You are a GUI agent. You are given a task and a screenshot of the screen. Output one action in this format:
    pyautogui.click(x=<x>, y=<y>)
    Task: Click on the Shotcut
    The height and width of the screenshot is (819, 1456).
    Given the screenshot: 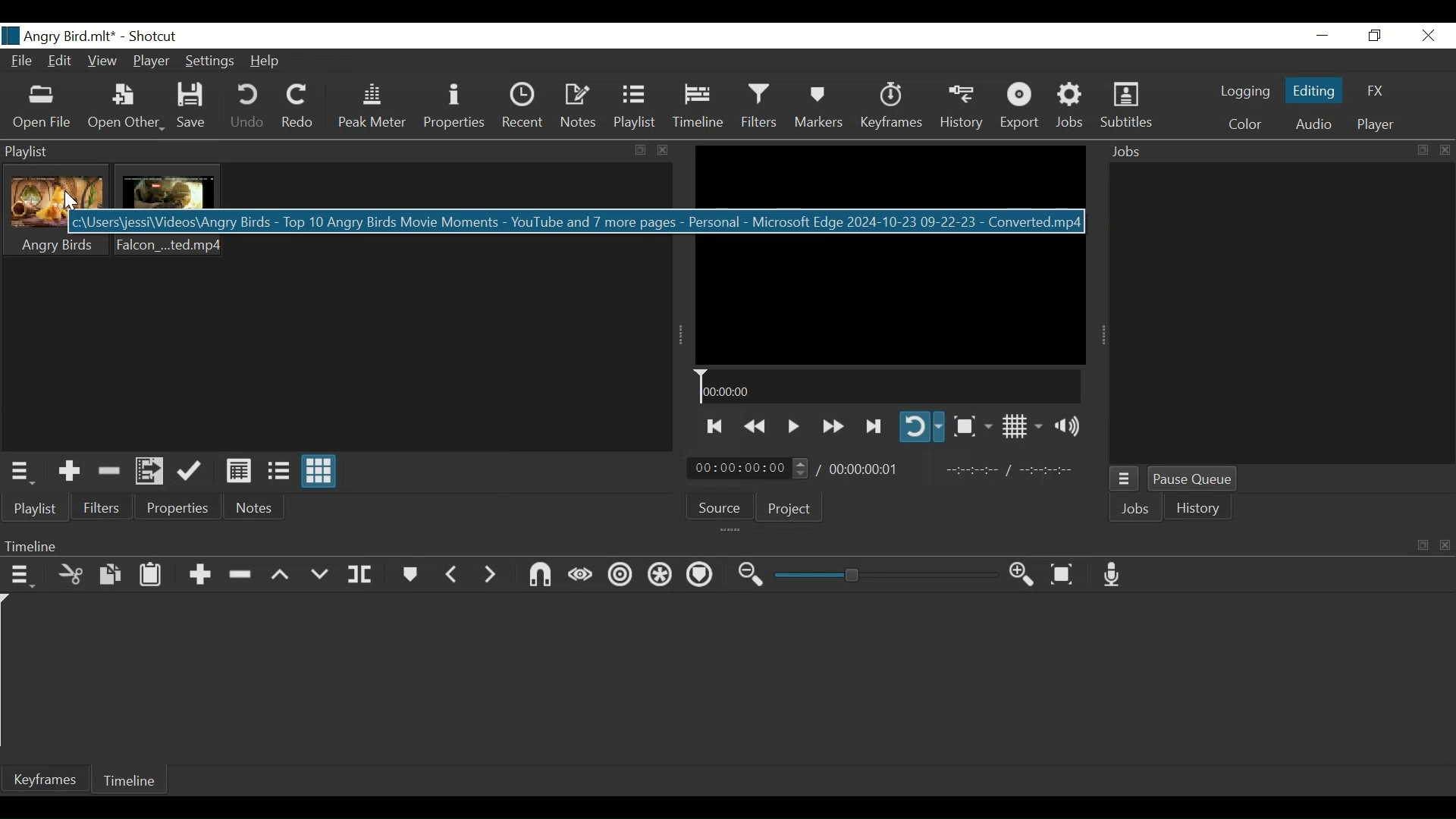 What is the action you would take?
    pyautogui.click(x=152, y=36)
    